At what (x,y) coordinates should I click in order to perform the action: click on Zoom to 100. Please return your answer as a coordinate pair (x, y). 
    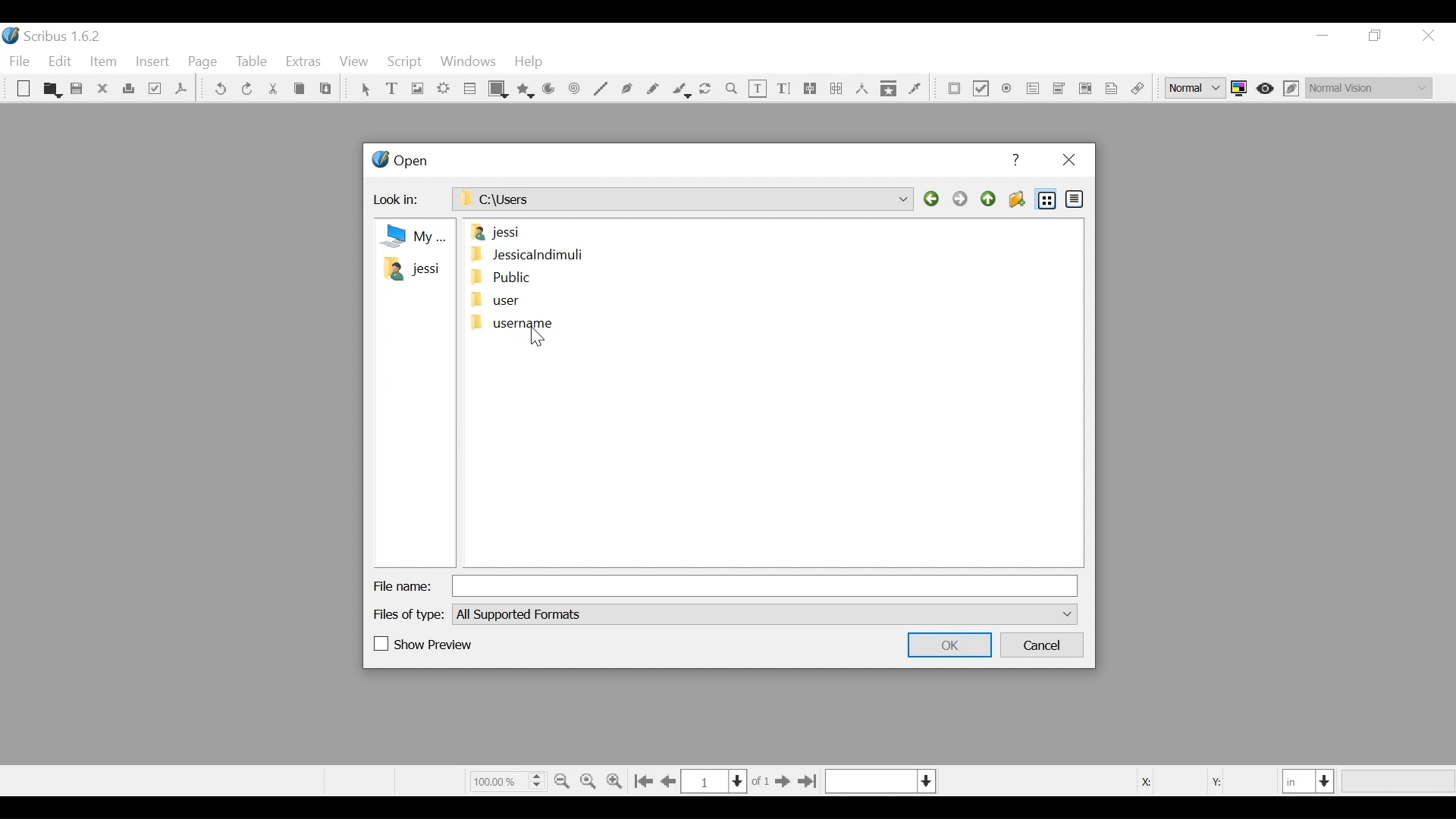
    Looking at the image, I should click on (590, 779).